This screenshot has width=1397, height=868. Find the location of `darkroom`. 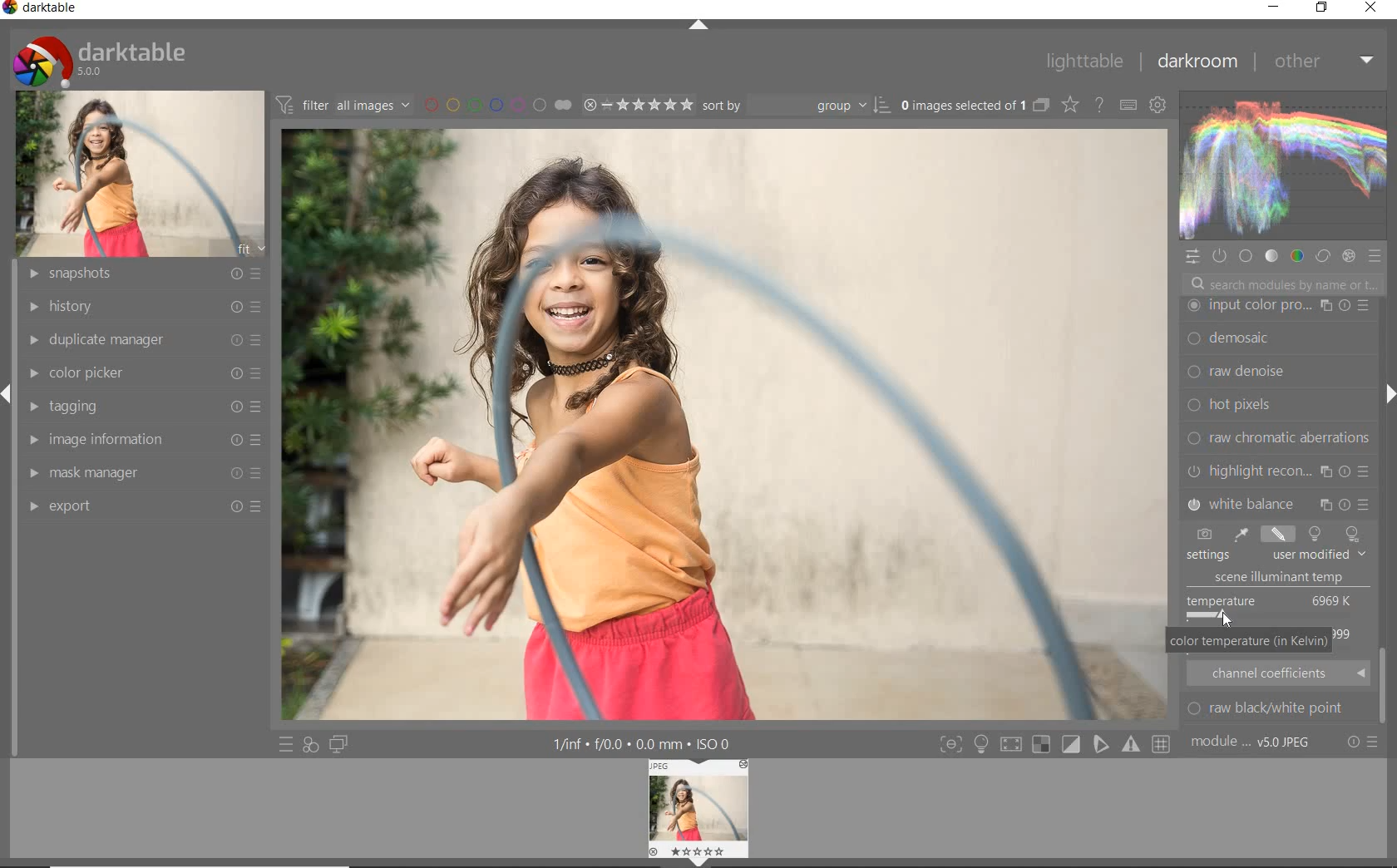

darkroom is located at coordinates (1200, 62).